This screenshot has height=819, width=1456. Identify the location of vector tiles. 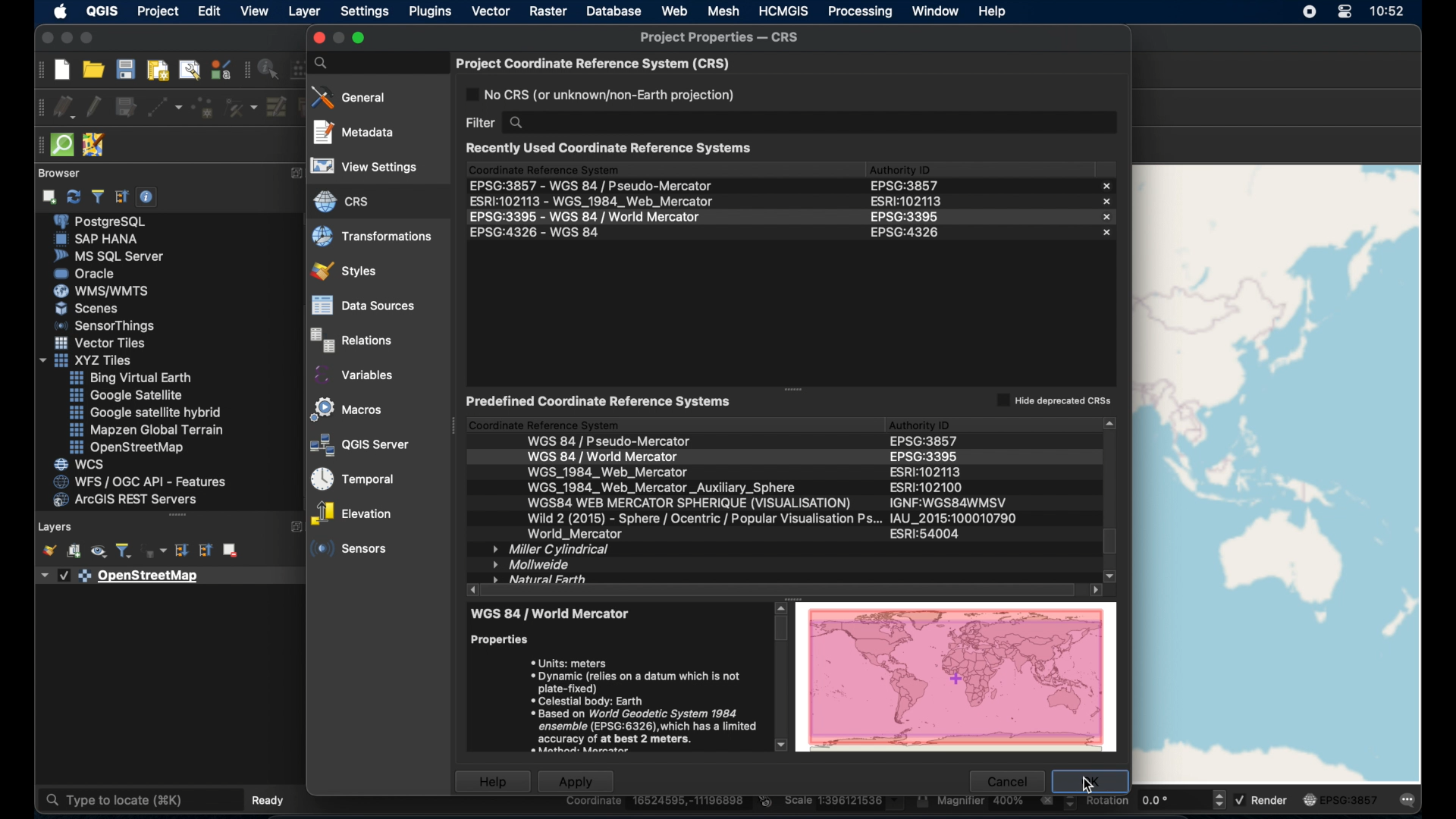
(101, 344).